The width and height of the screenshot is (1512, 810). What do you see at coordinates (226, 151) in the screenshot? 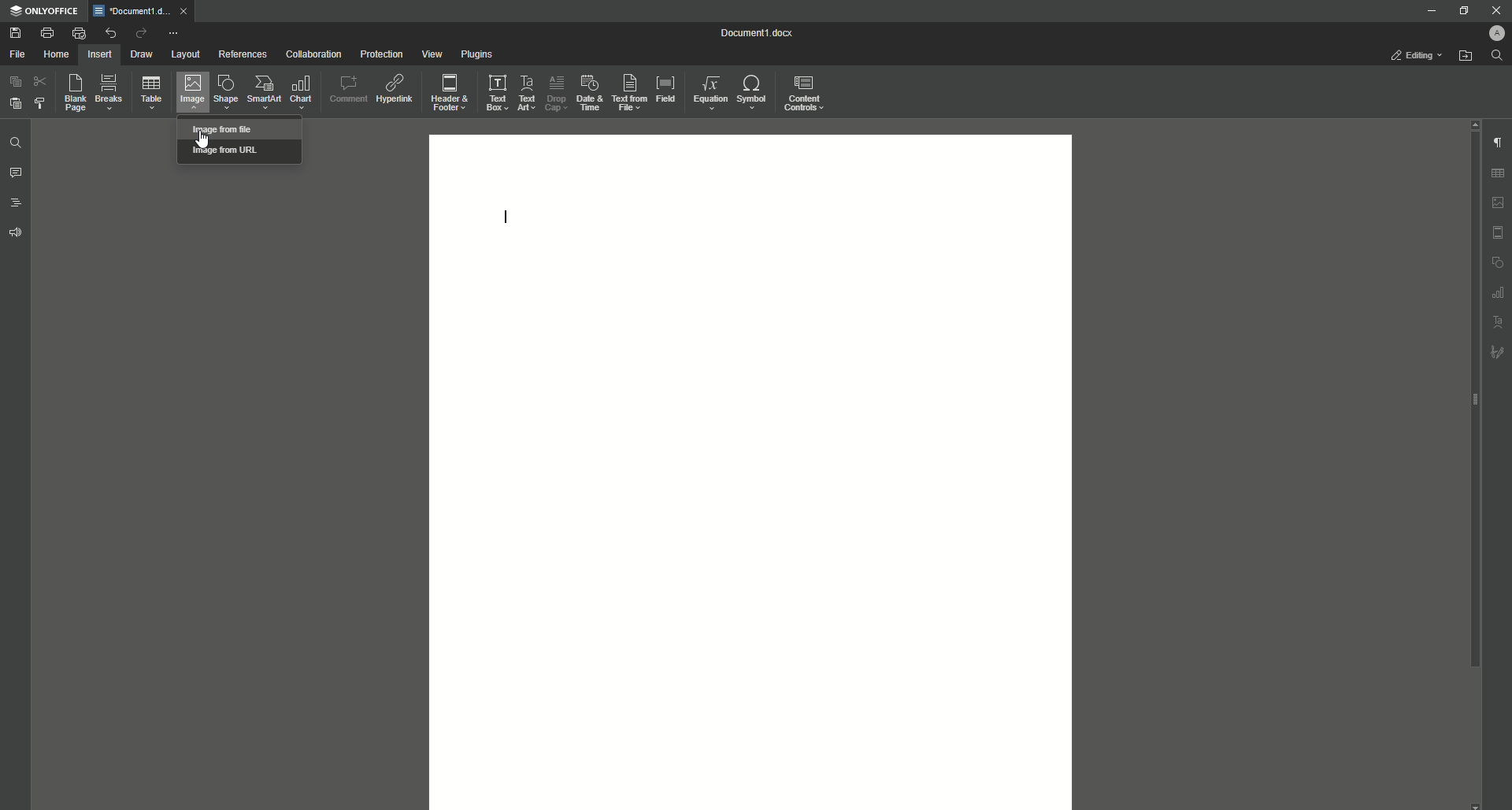
I see `Image from URL` at bounding box center [226, 151].